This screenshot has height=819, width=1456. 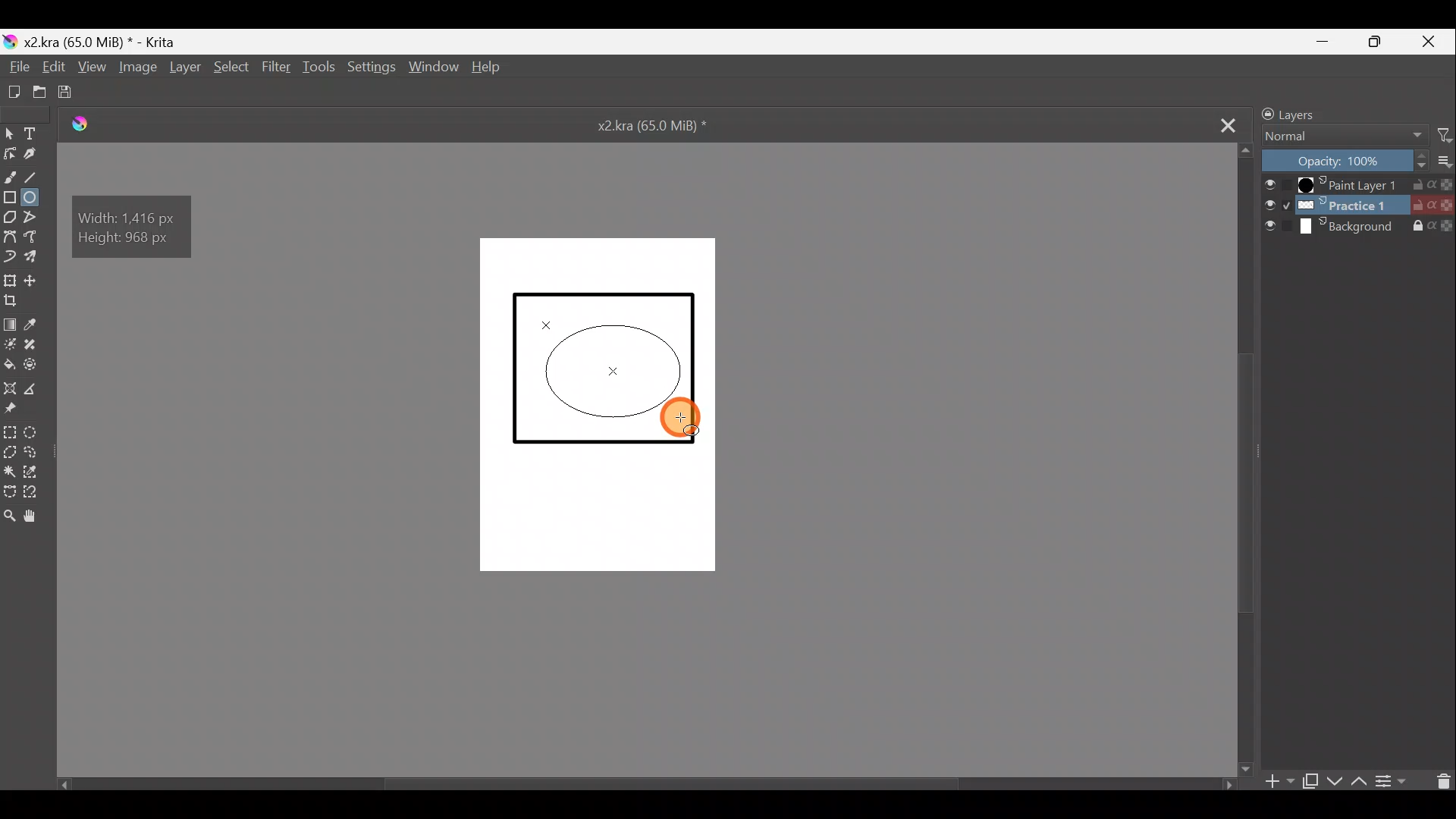 I want to click on Open existing document, so click(x=39, y=91).